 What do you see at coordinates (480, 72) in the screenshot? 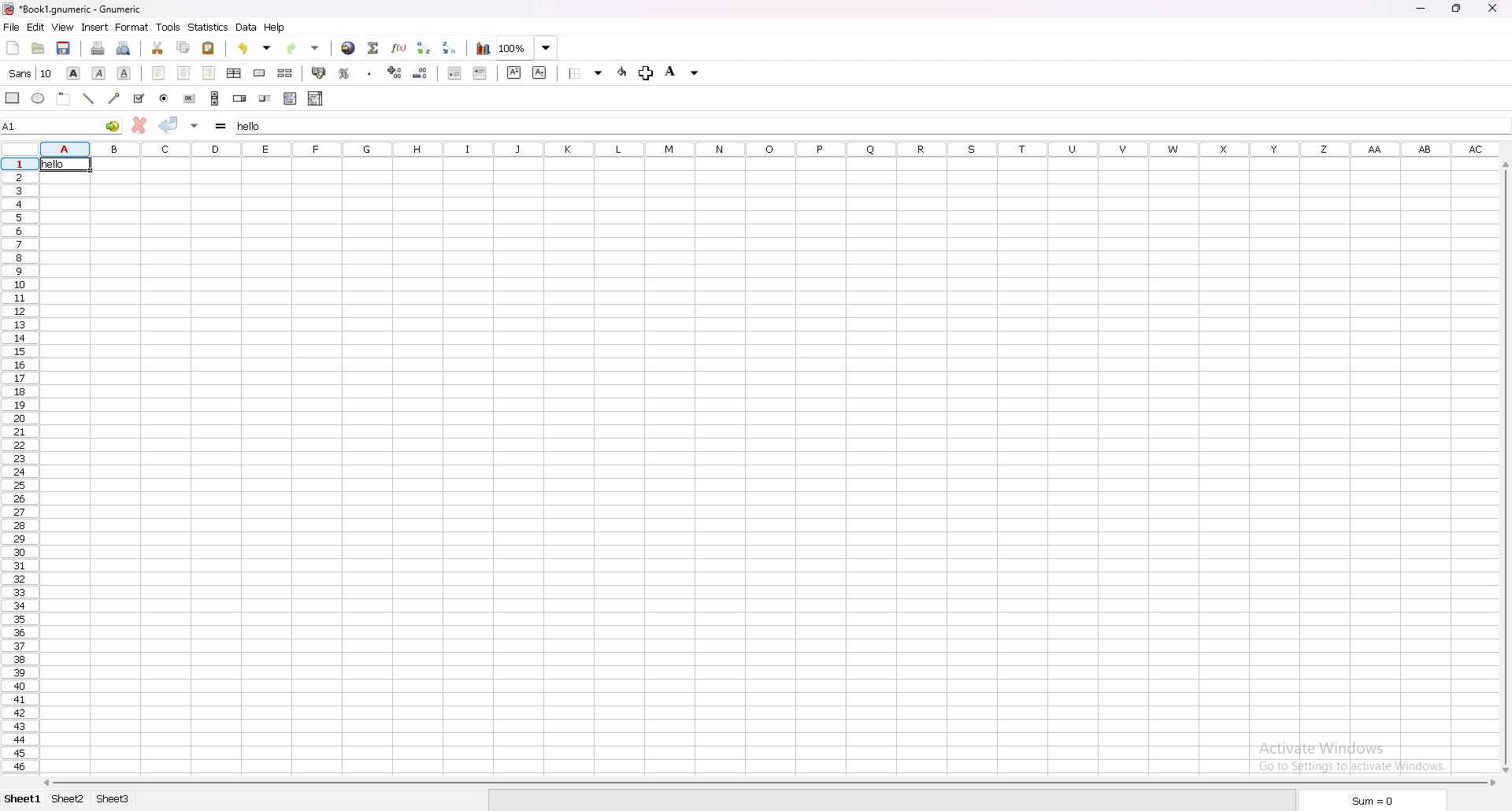
I see `increase indent` at bounding box center [480, 72].